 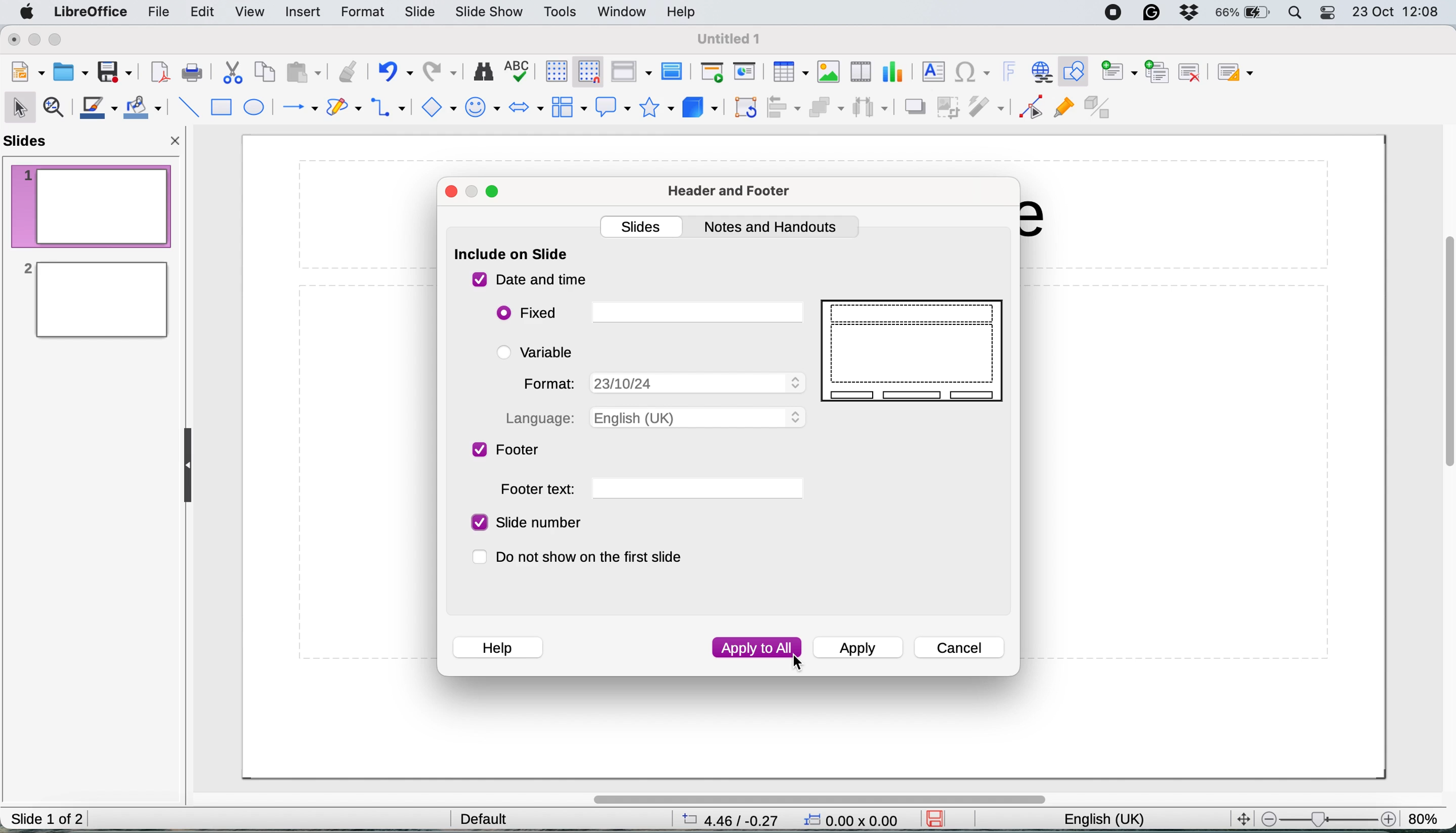 I want to click on 4.46/-0.27, so click(x=737, y=819).